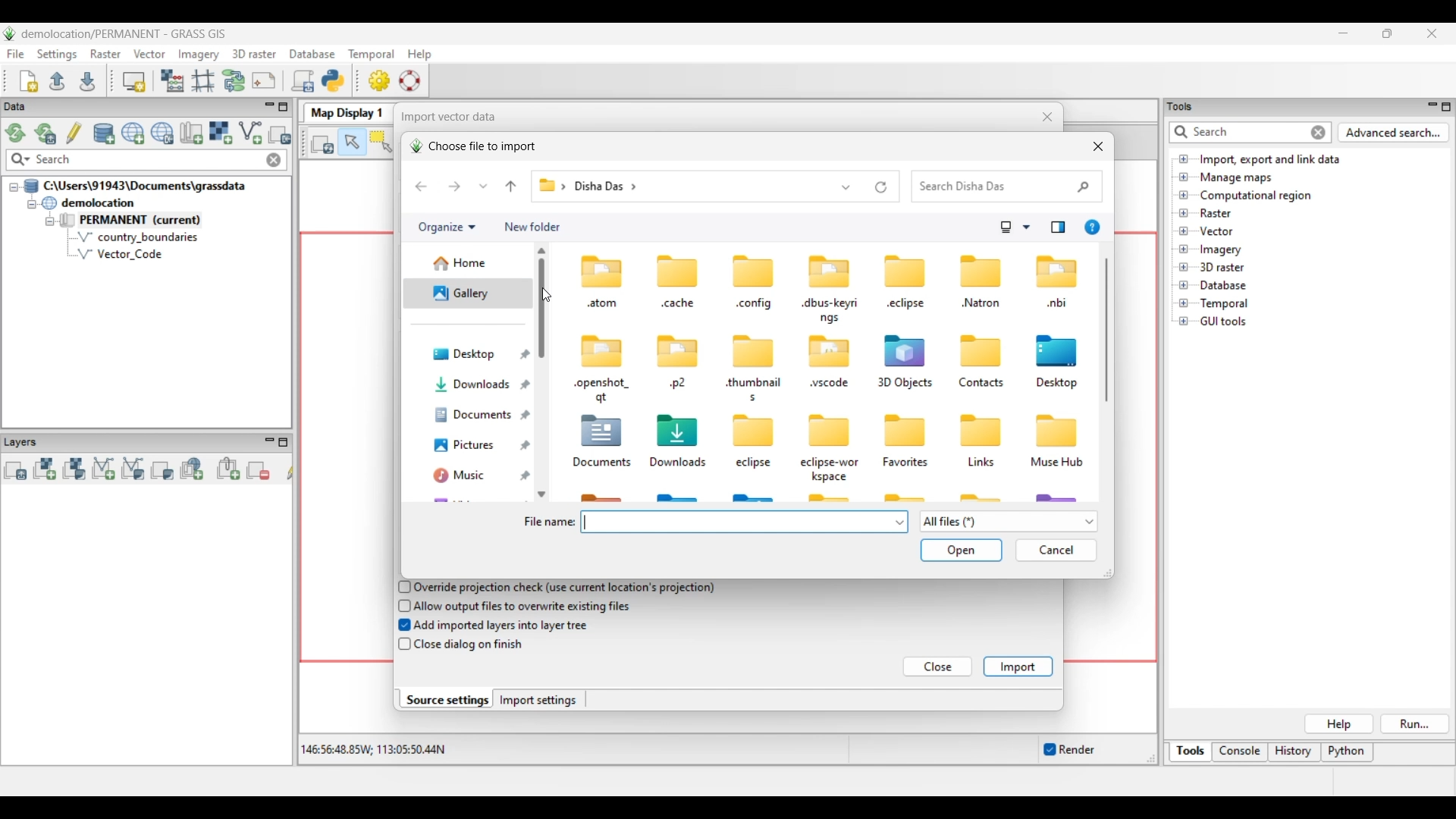 This screenshot has width=1456, height=819. I want to click on Project and software name, so click(124, 34).